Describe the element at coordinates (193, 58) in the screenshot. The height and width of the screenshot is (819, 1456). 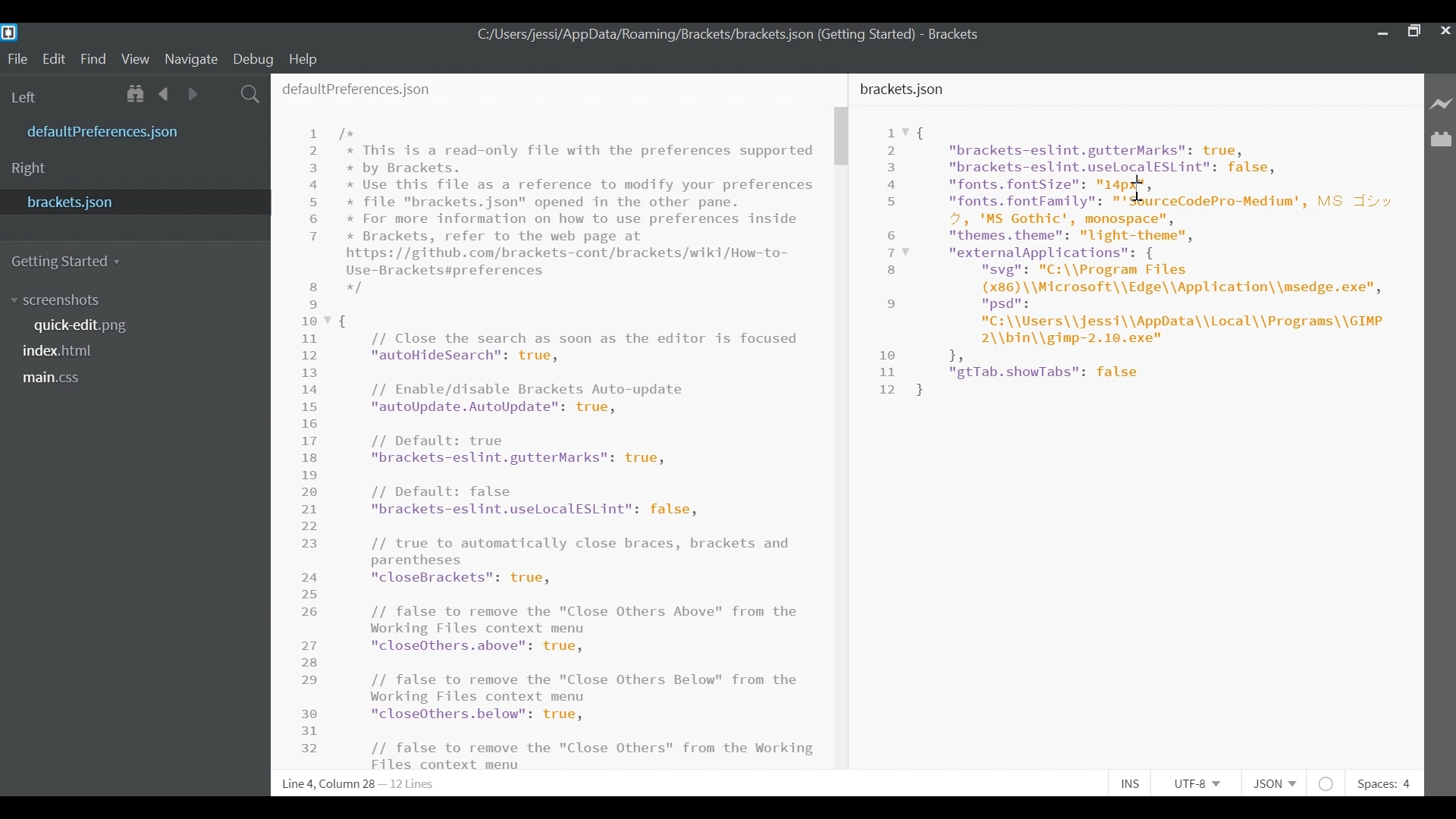
I see `Navigate` at that location.